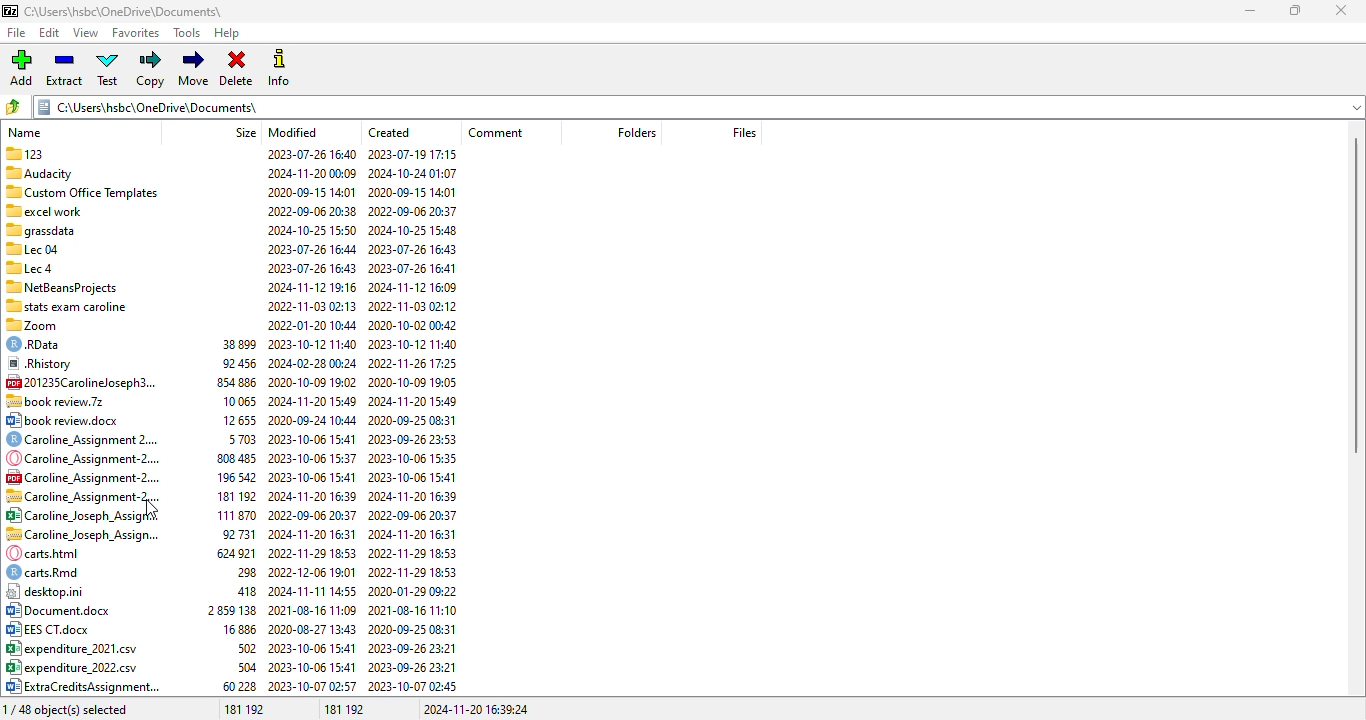 The image size is (1366, 720). I want to click on name, so click(25, 132).